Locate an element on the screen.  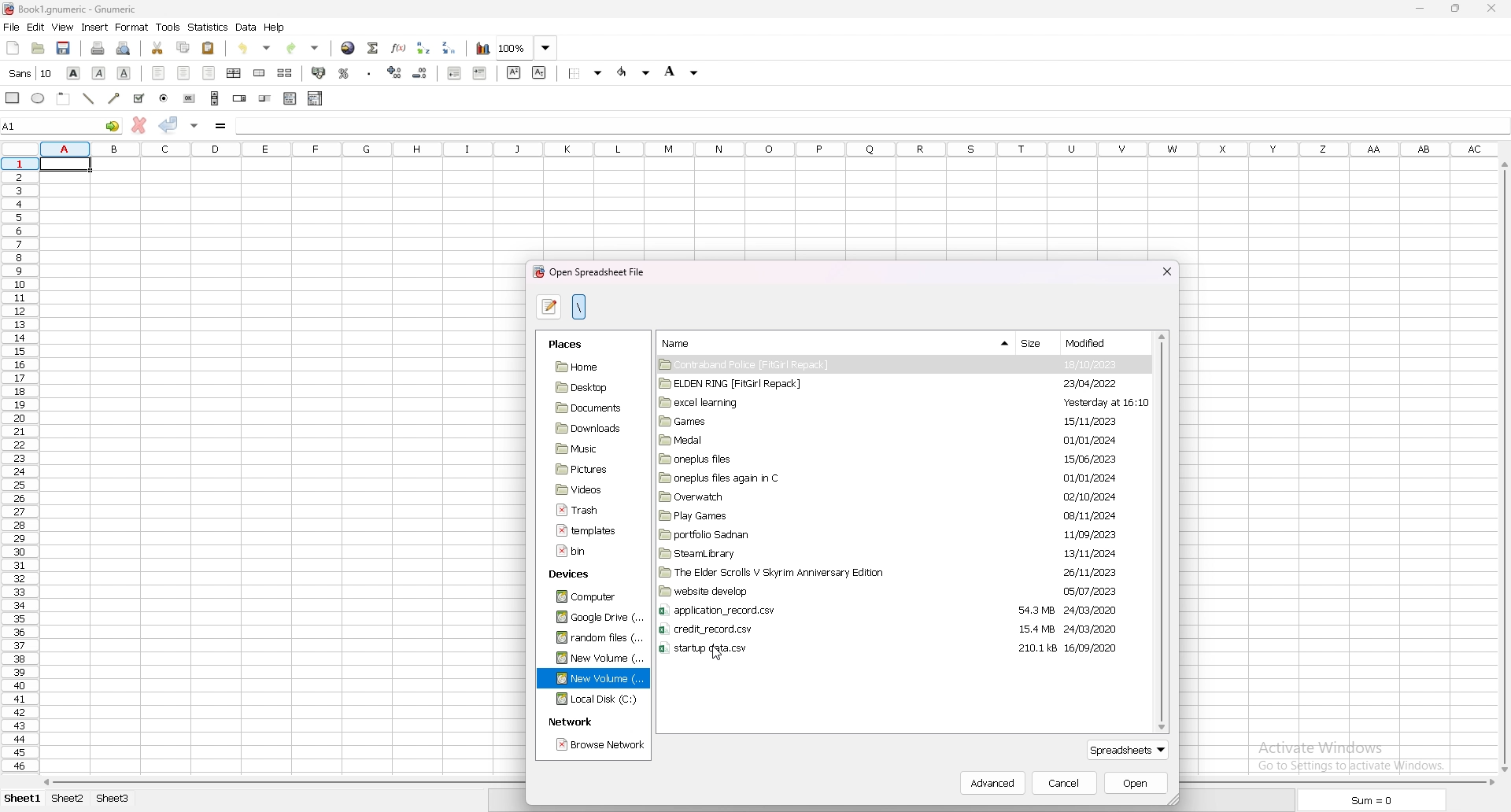
cursor description is located at coordinates (32, 75).